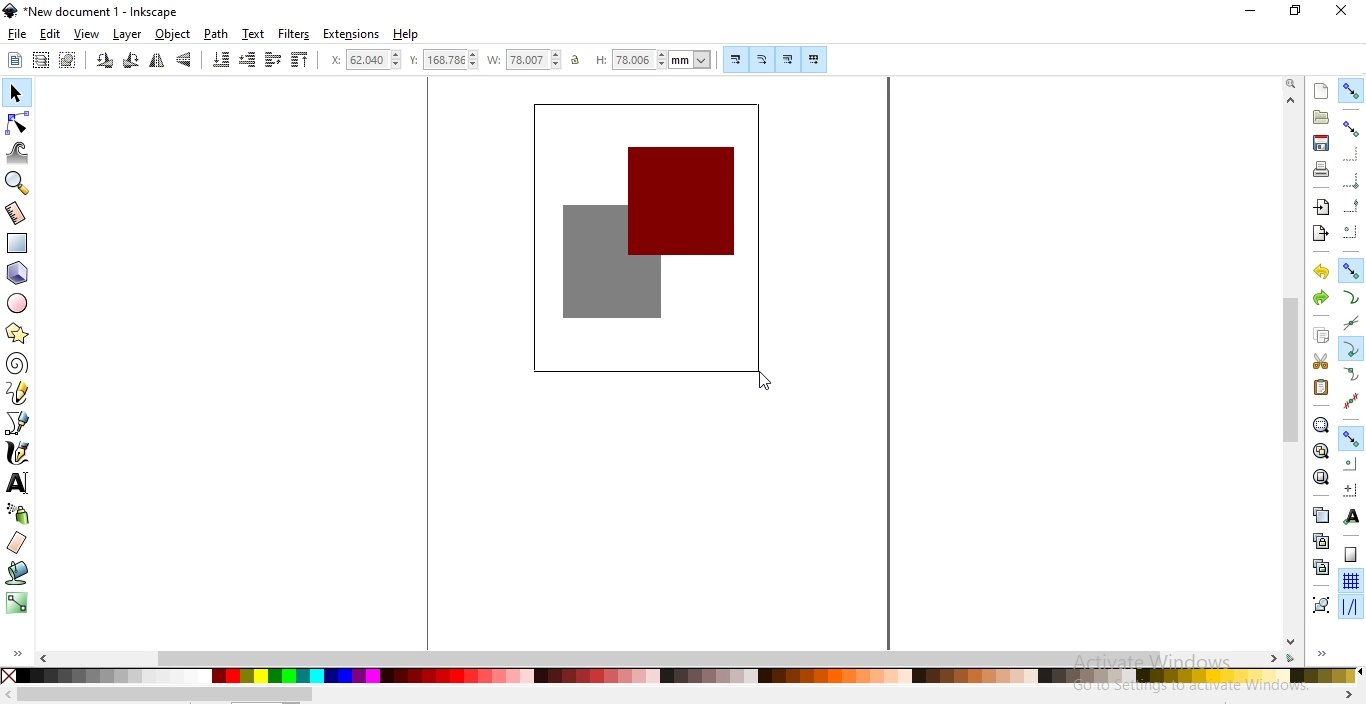 The width and height of the screenshot is (1366, 704). I want to click on object, so click(173, 34).